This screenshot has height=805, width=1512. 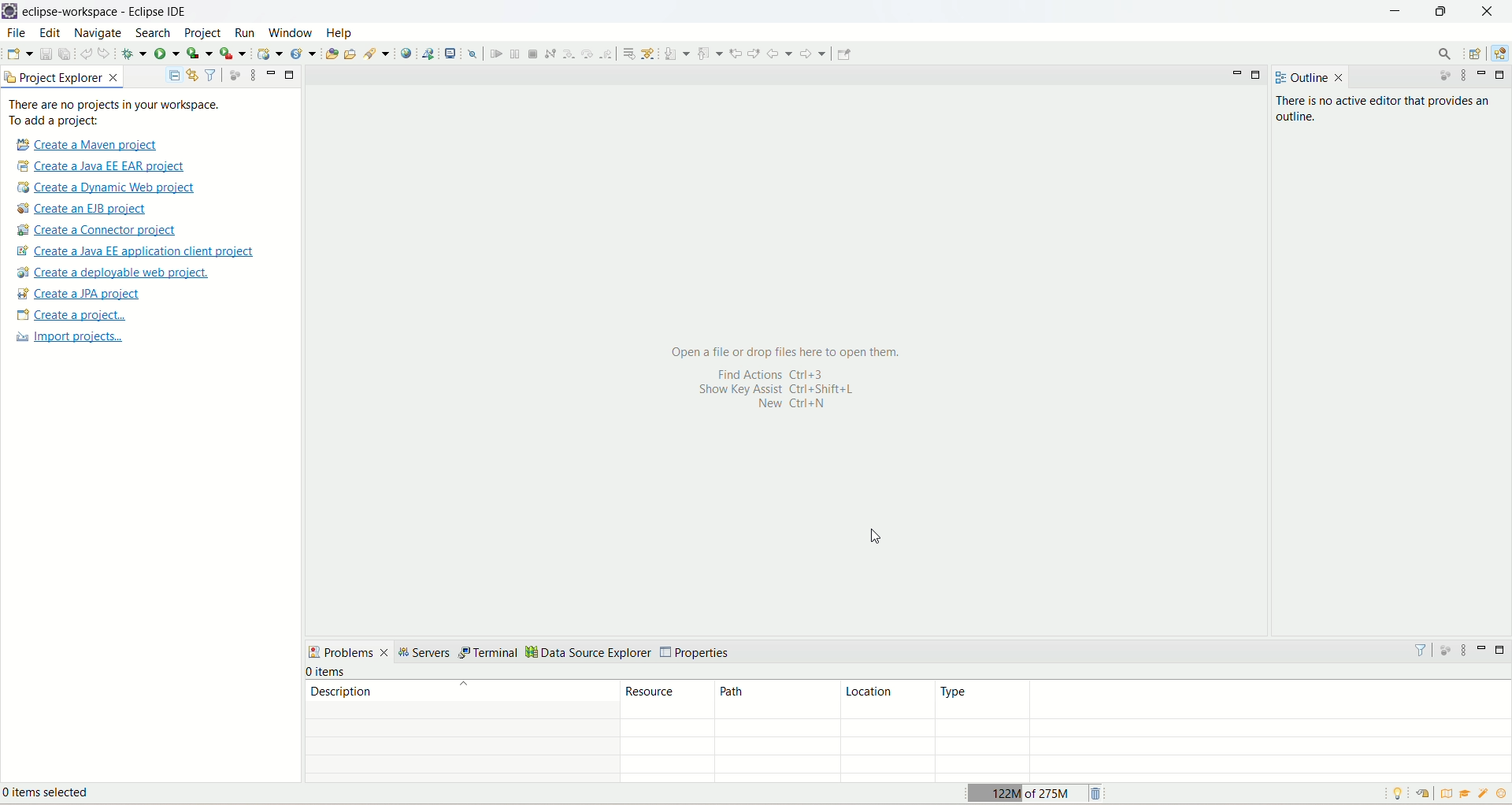 I want to click on create a Java EE ER project, so click(x=105, y=166).